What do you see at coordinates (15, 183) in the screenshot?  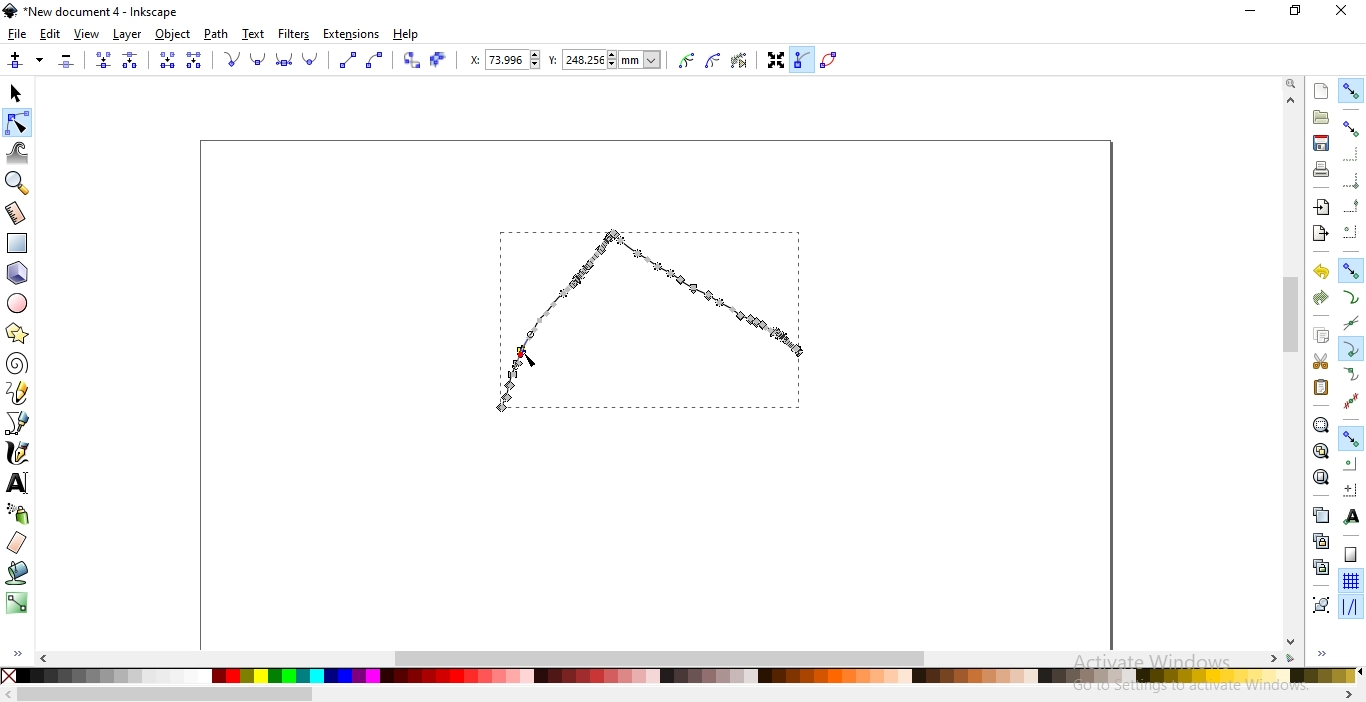 I see `zoom in or out` at bounding box center [15, 183].